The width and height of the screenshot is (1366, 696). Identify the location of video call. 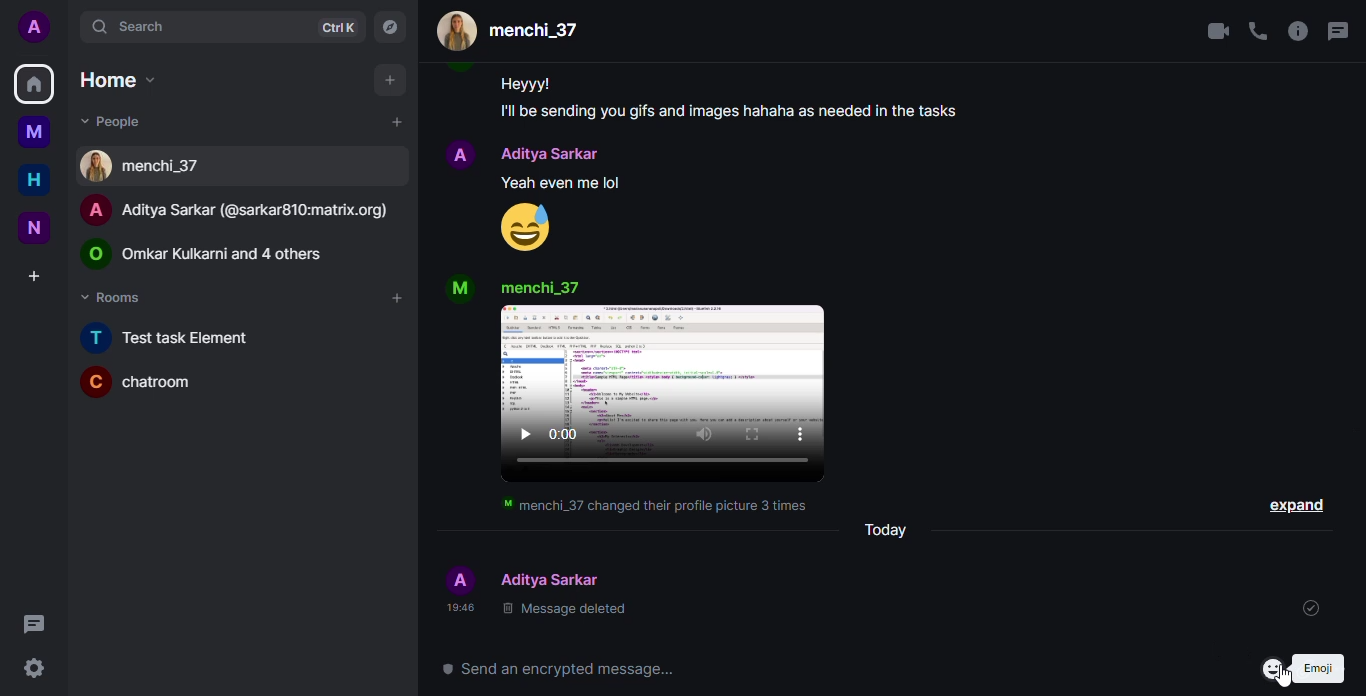
(1210, 30).